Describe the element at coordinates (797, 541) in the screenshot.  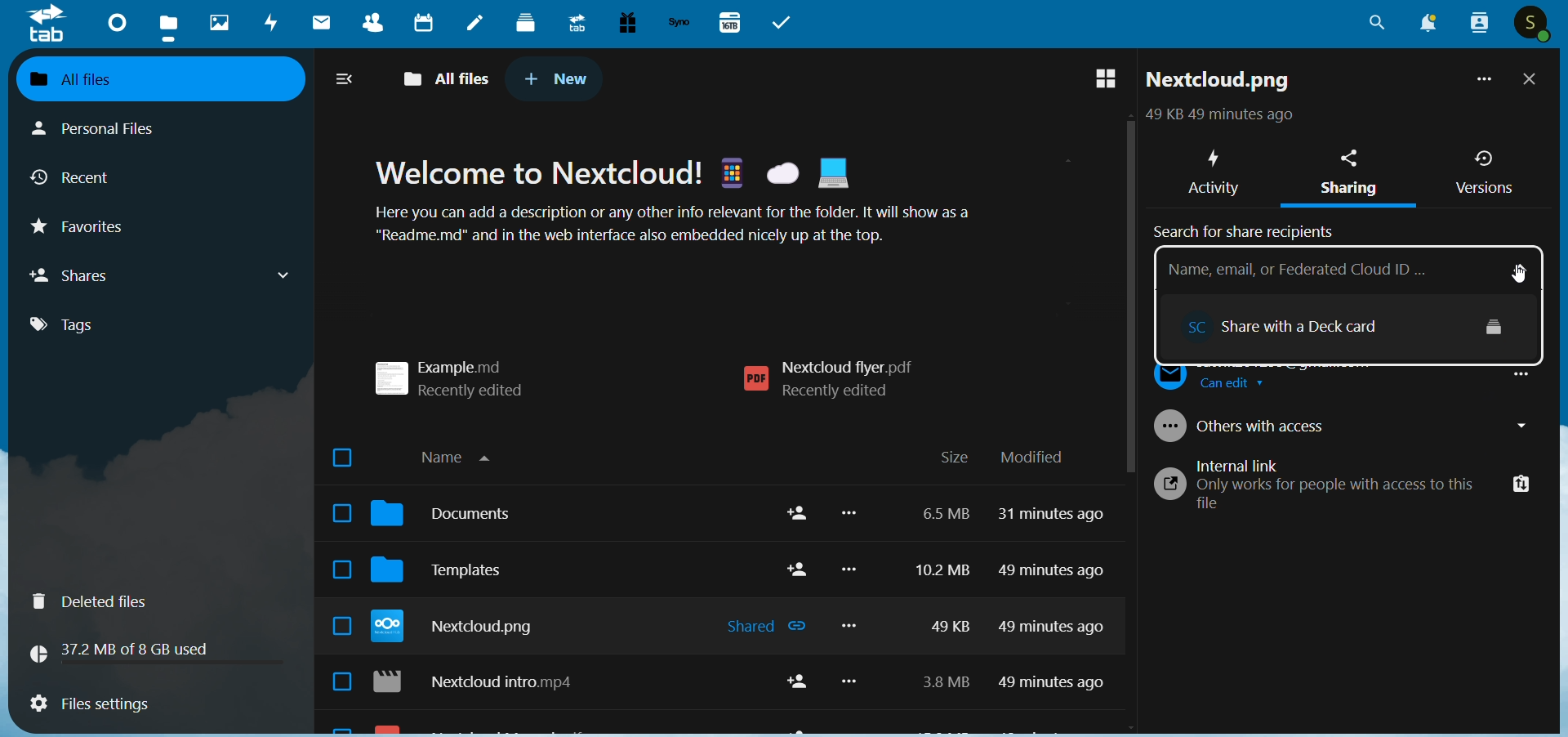
I see `share` at that location.